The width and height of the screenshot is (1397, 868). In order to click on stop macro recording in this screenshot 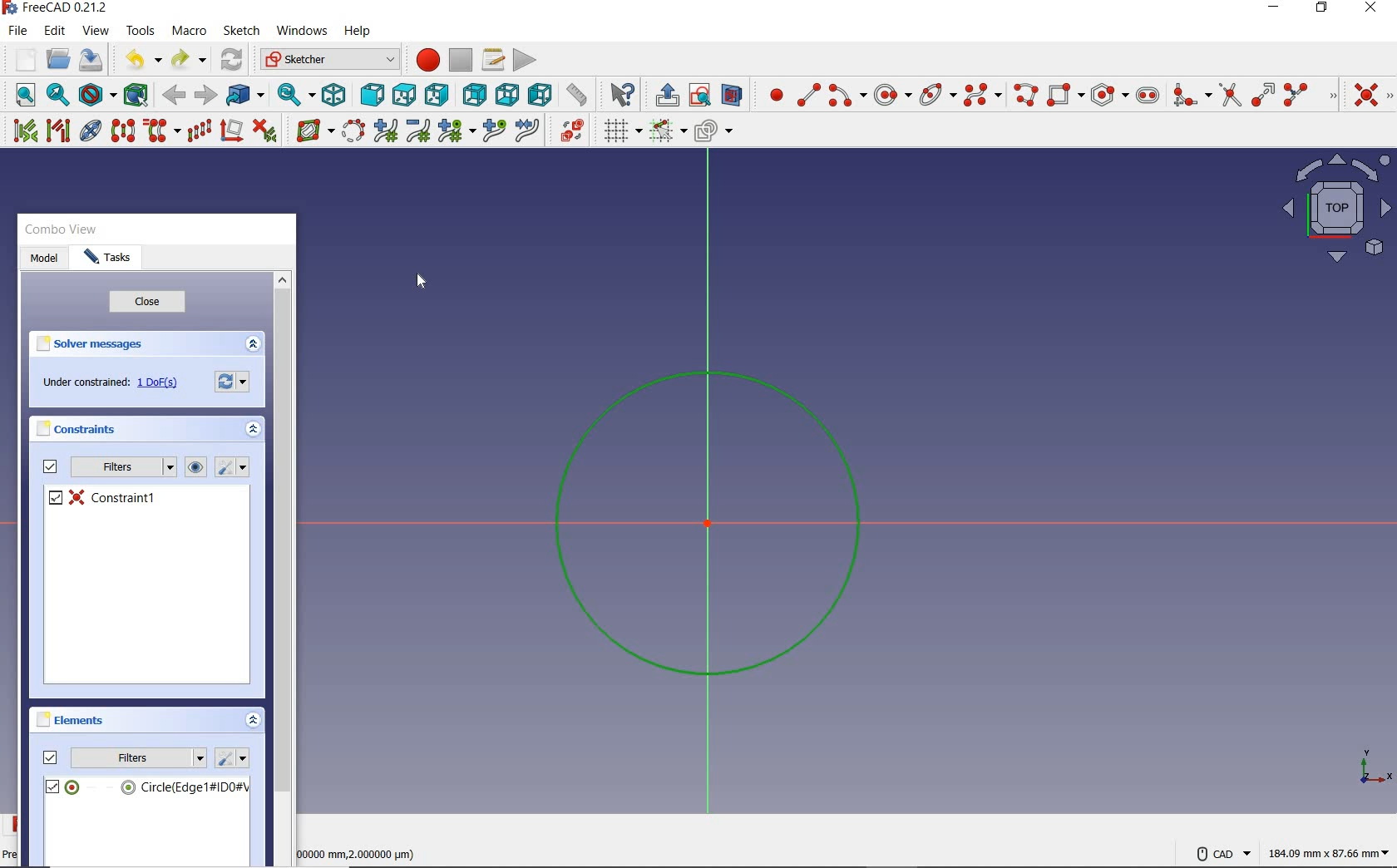, I will do `click(461, 59)`.